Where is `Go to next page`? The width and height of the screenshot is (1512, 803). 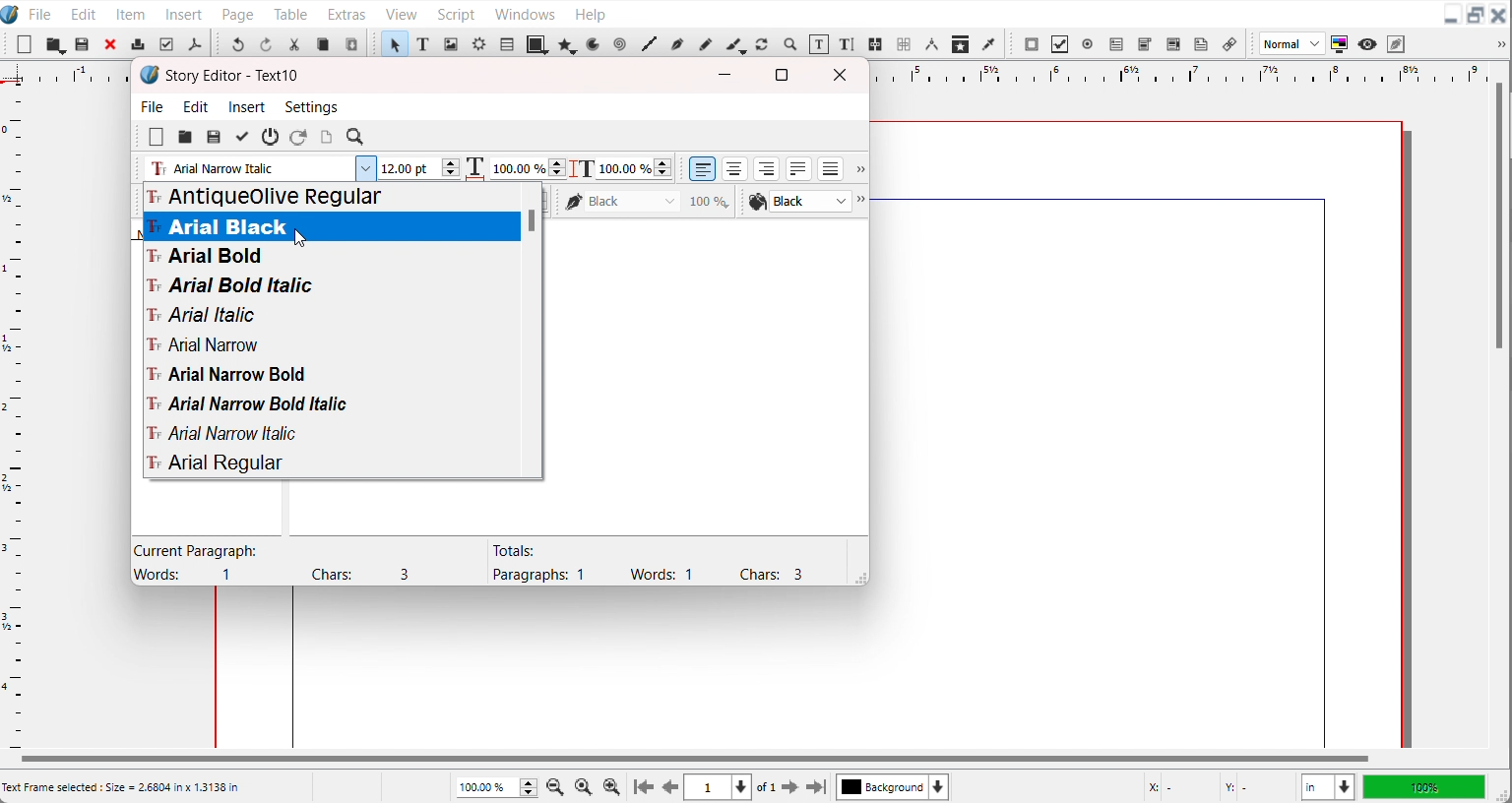
Go to next page is located at coordinates (779, 787).